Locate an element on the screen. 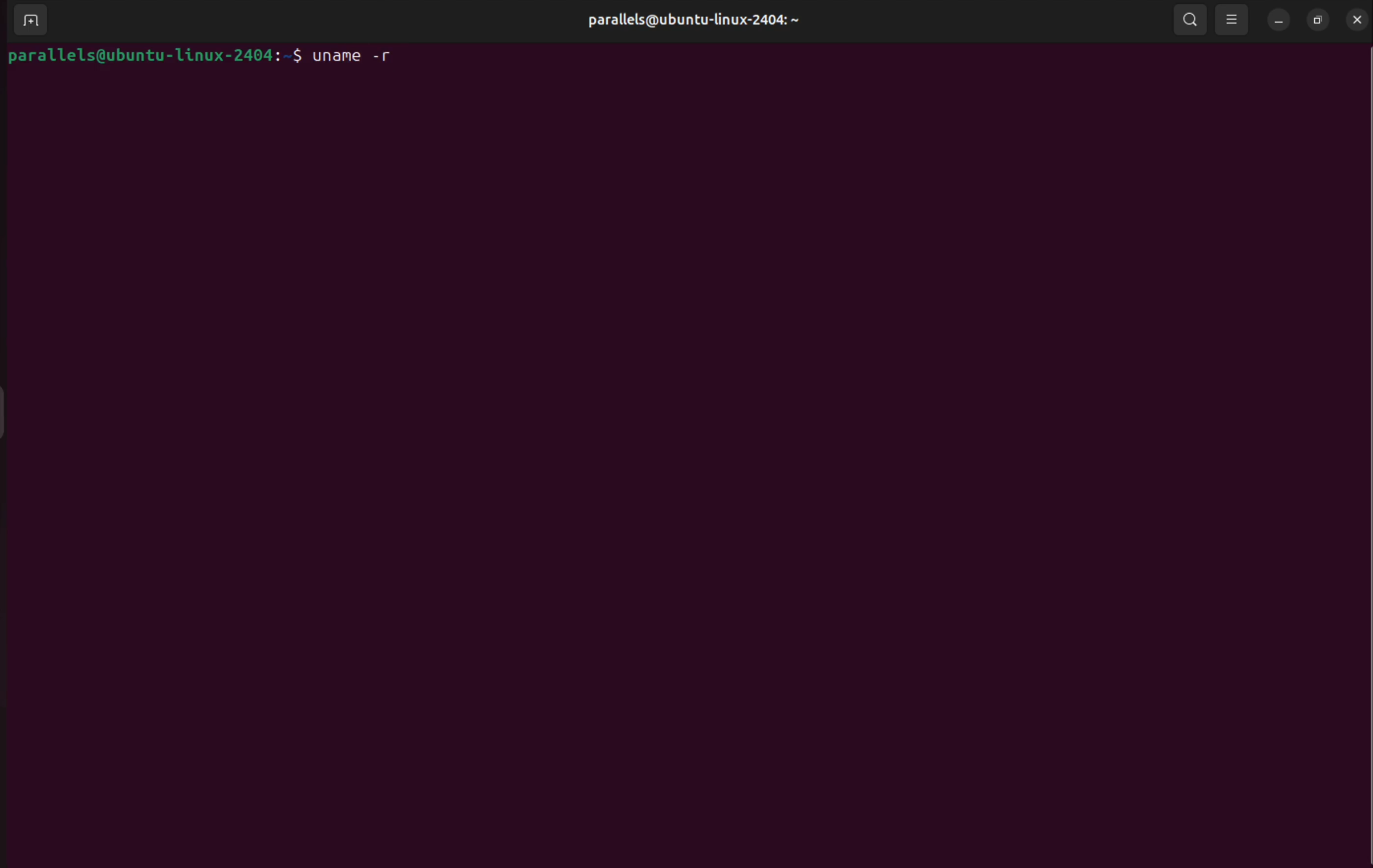 The image size is (1373, 868). parallels@ubuntu-linux-2404: ~$ is located at coordinates (152, 55).